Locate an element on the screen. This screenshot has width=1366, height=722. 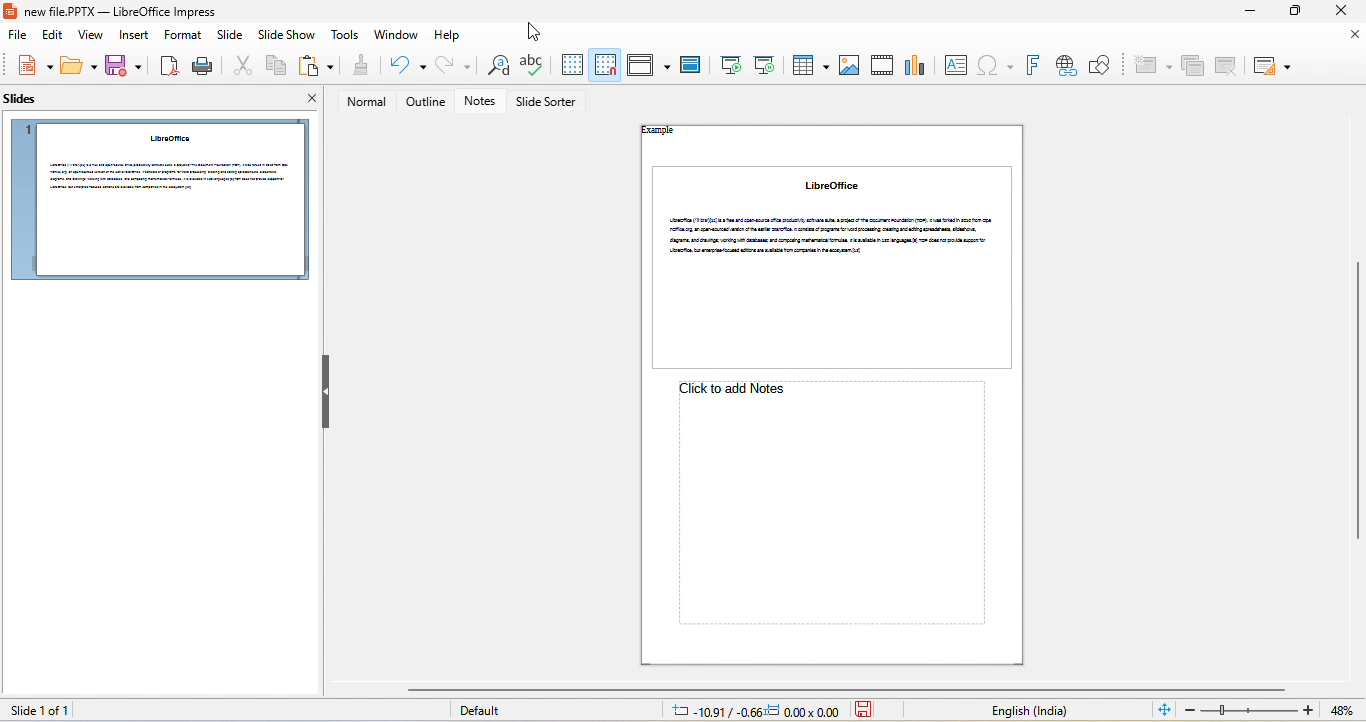
slide is located at coordinates (229, 38).